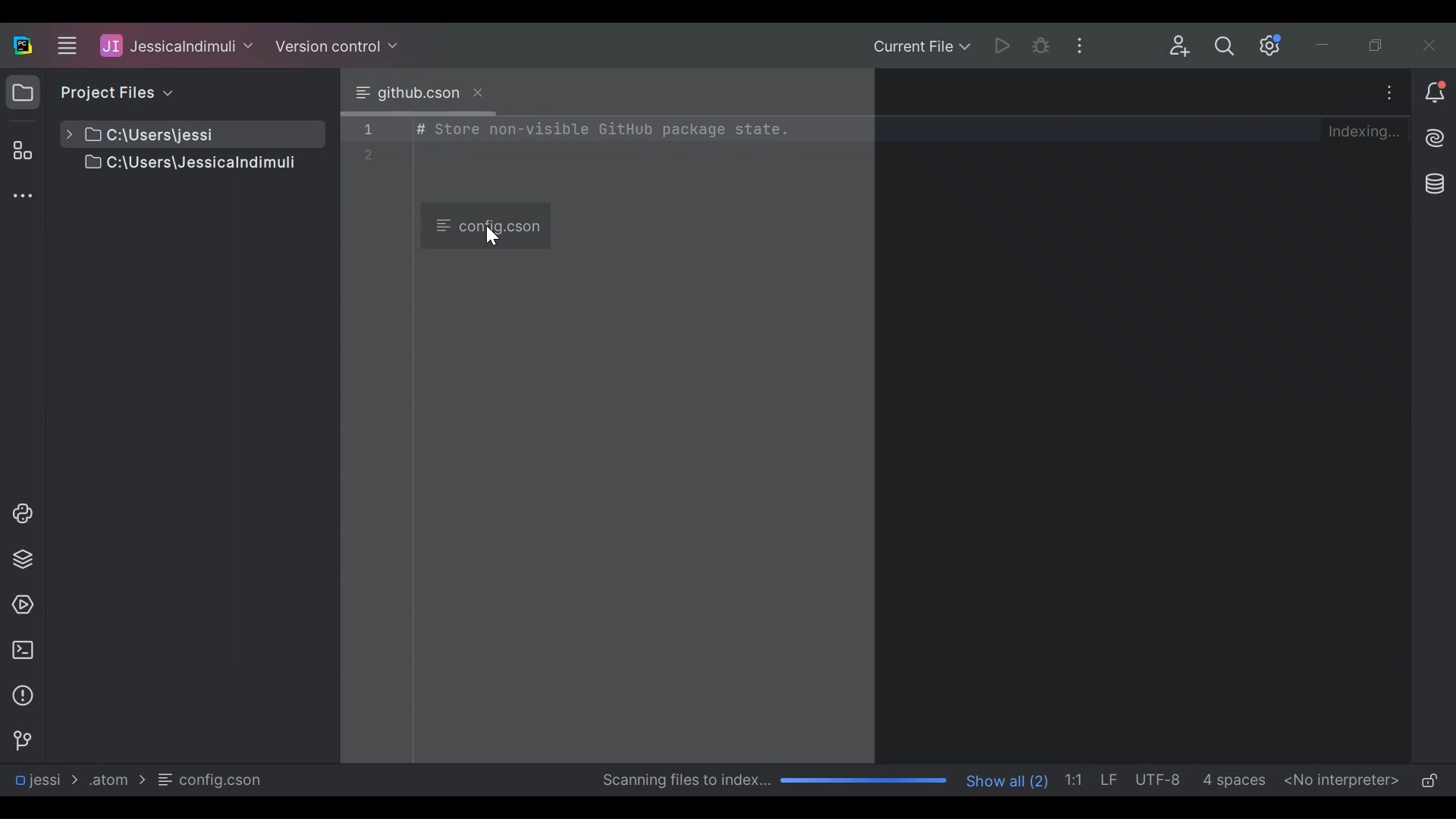  What do you see at coordinates (24, 559) in the screenshot?
I see `Python` at bounding box center [24, 559].